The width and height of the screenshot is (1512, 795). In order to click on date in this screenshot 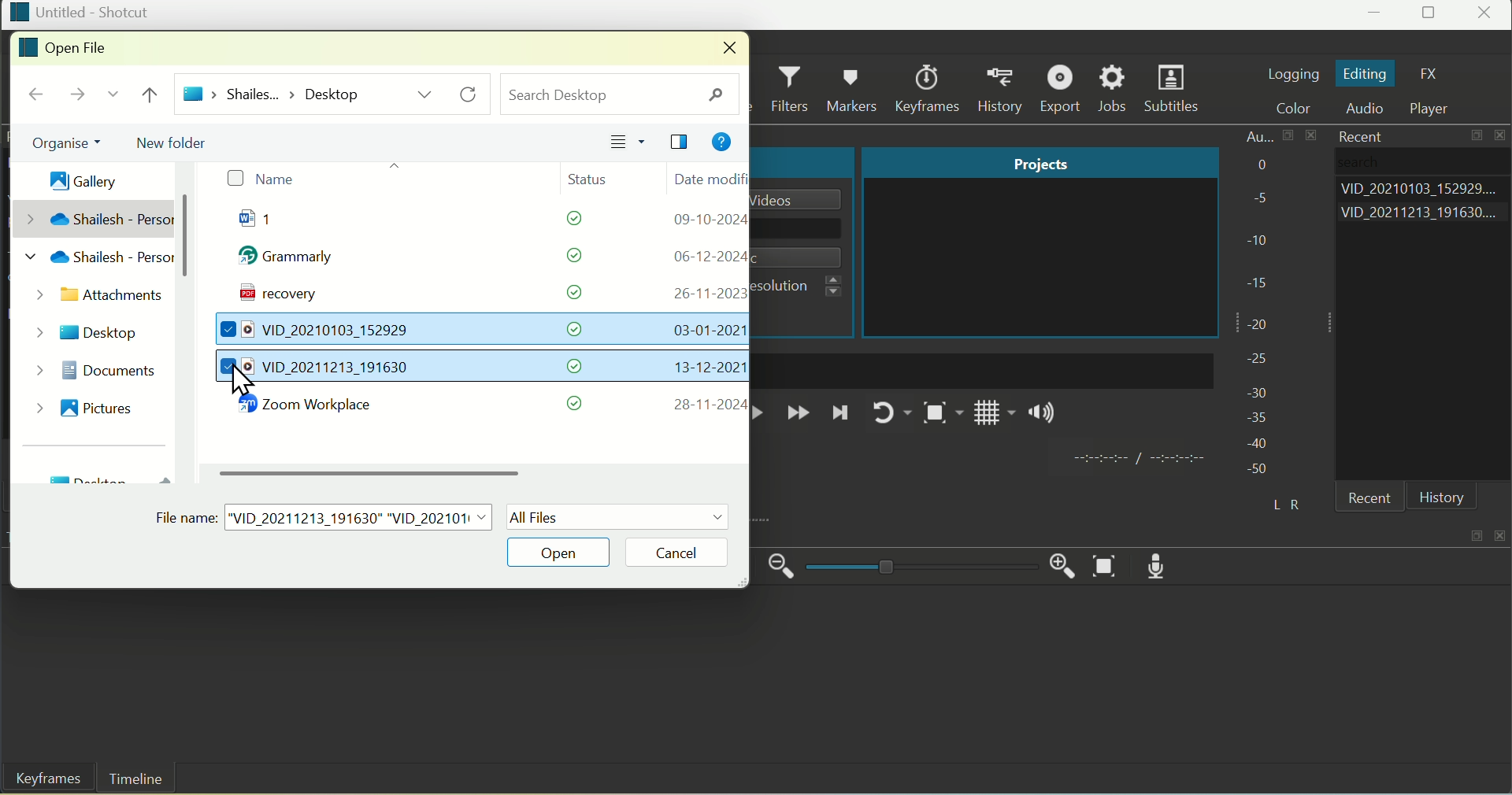, I will do `click(706, 220)`.